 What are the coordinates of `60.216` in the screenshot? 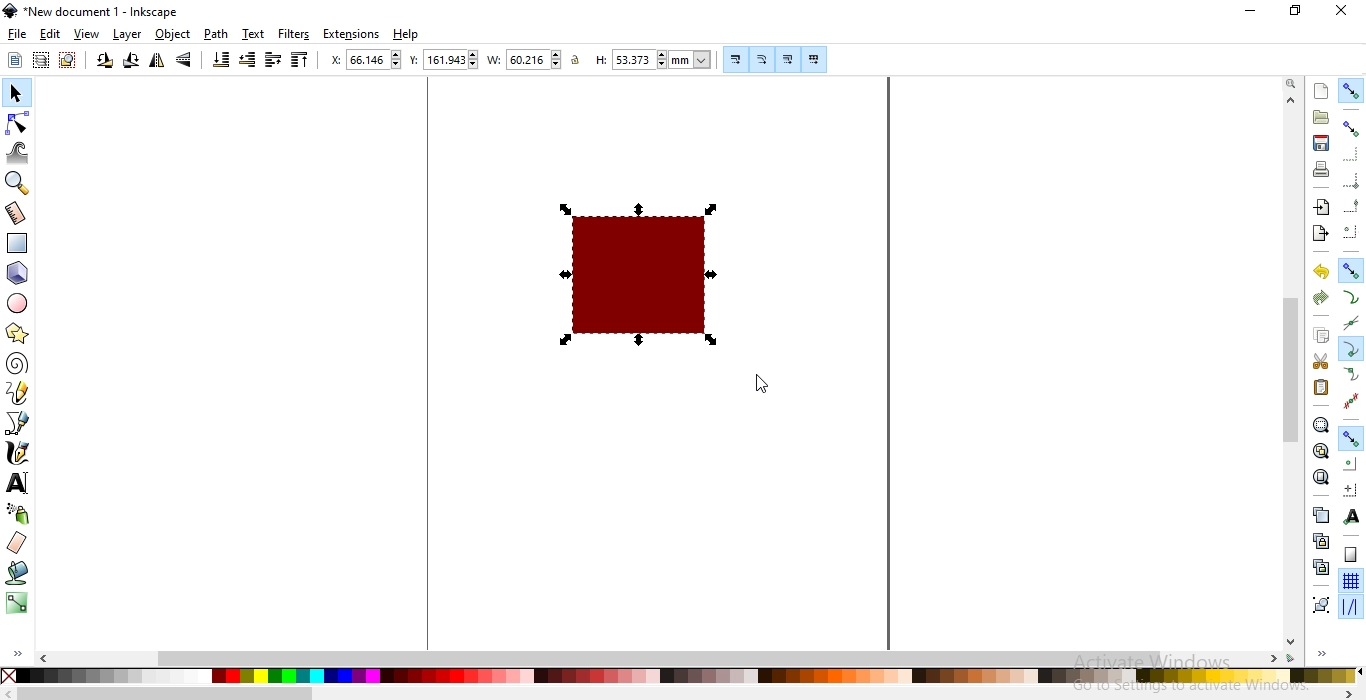 It's located at (535, 60).